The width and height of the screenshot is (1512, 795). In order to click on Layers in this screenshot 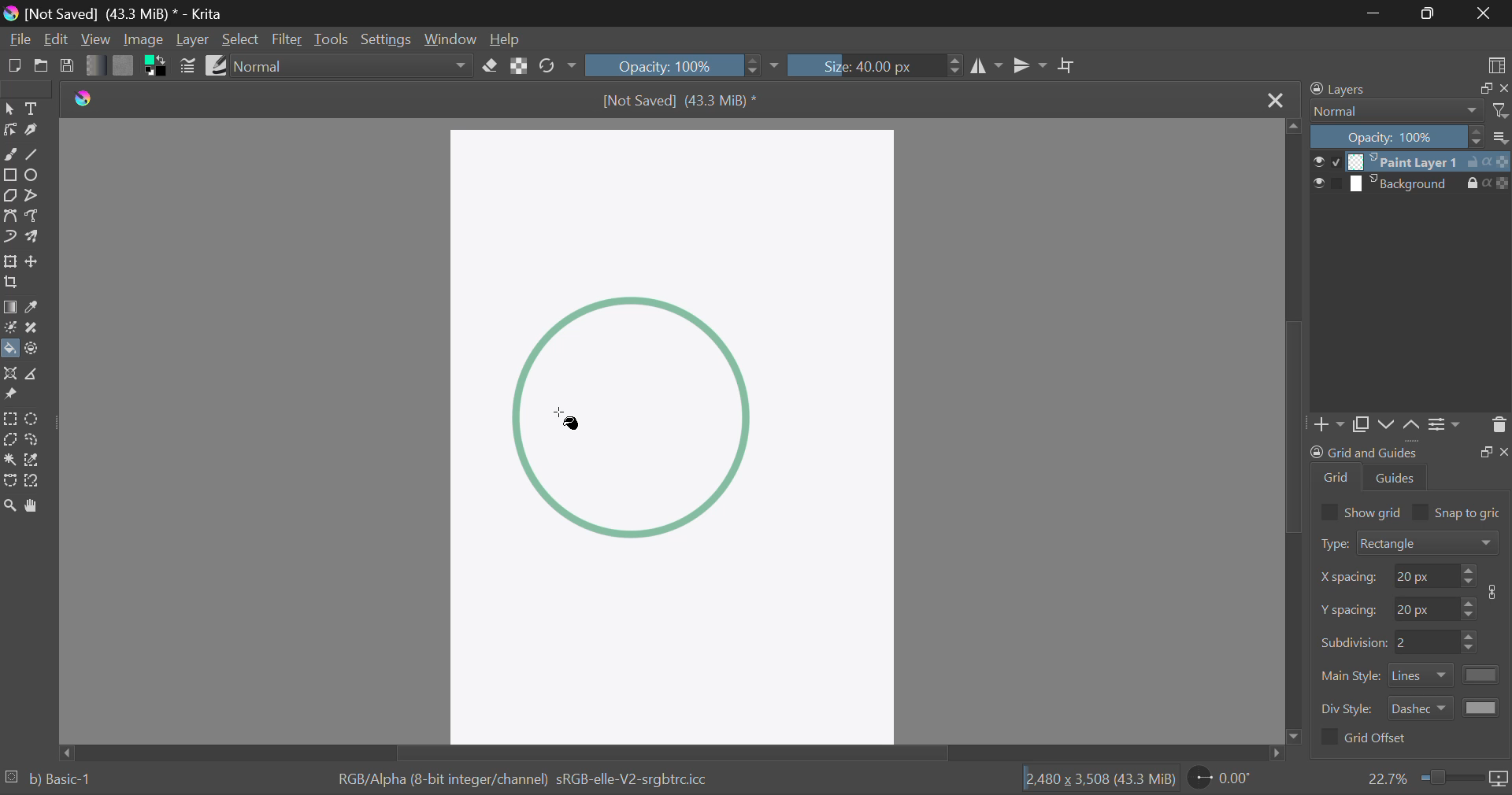, I will do `click(1410, 173)`.